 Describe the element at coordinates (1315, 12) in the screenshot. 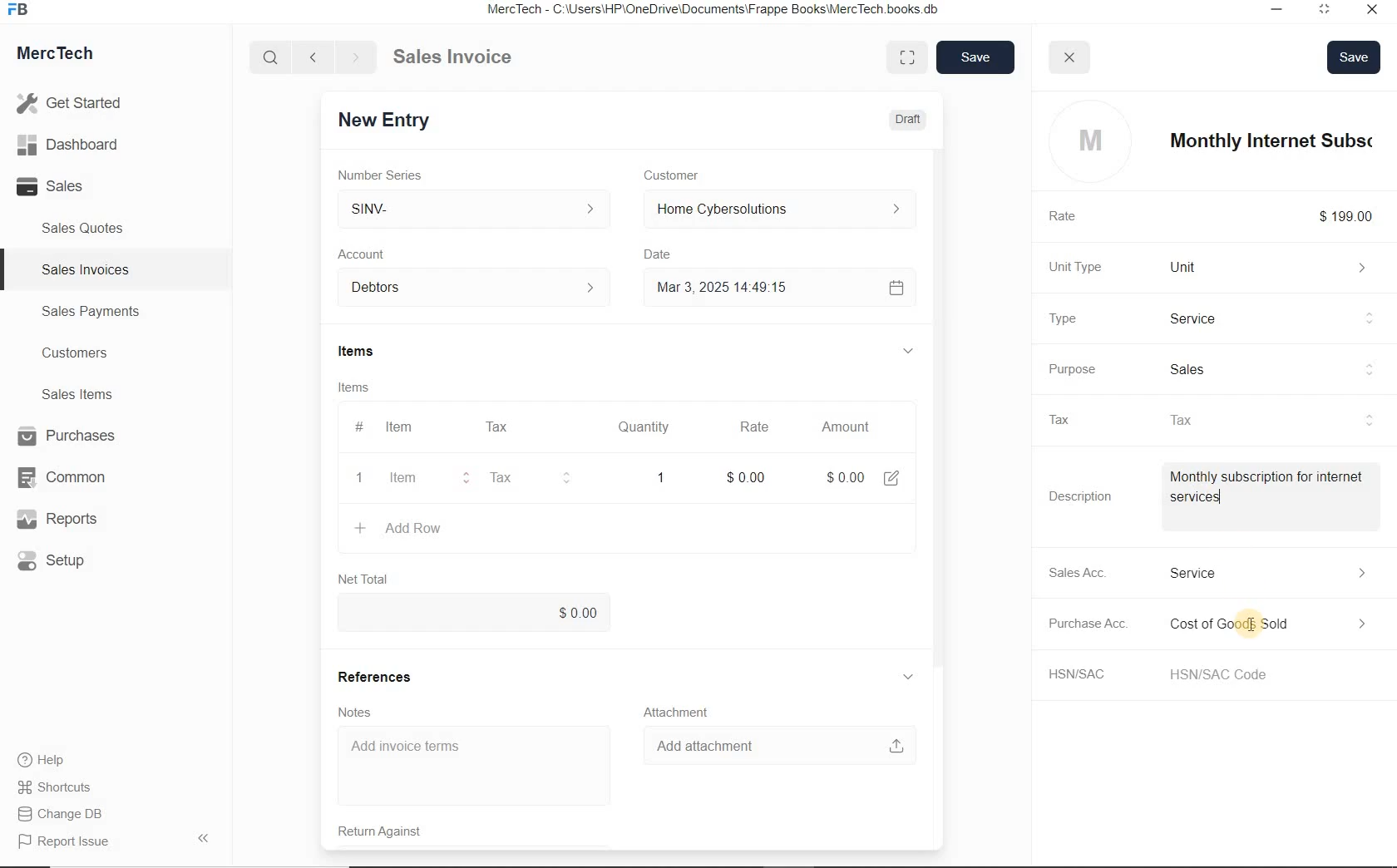

I see `Maximum` at that location.